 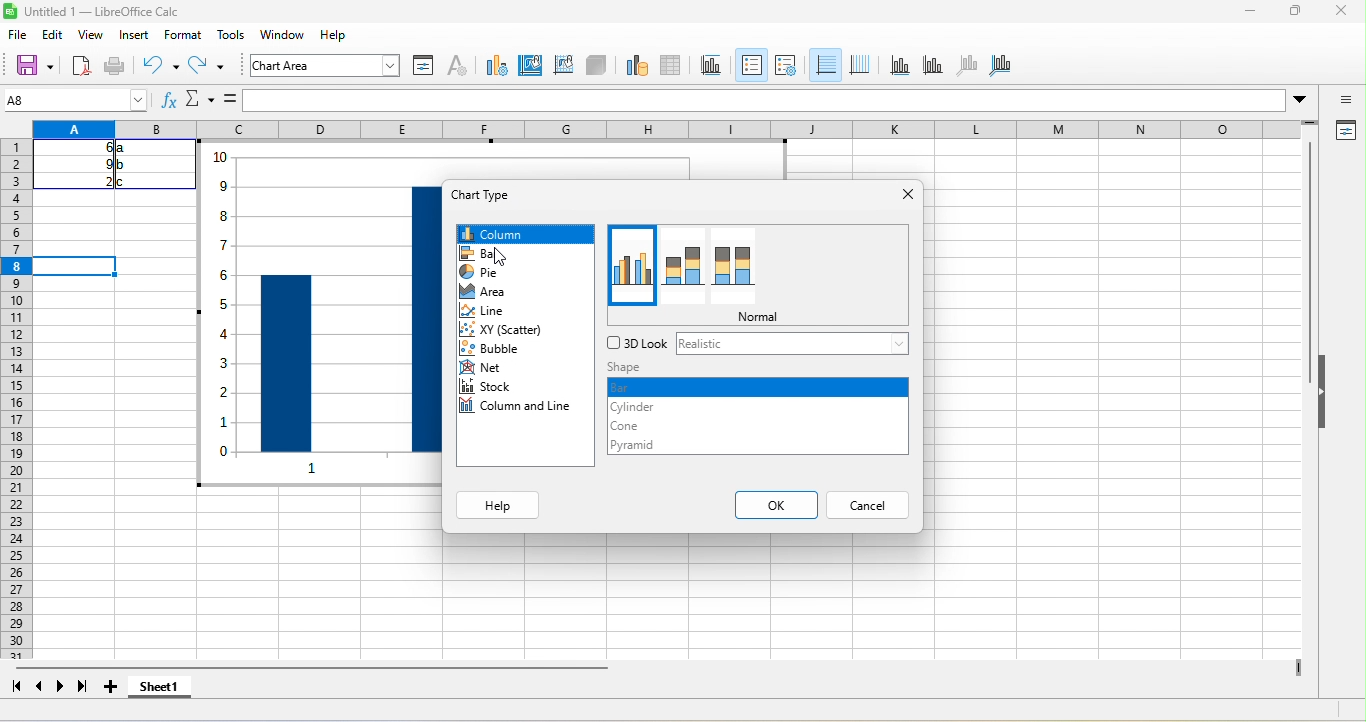 What do you see at coordinates (1249, 12) in the screenshot?
I see `minimize` at bounding box center [1249, 12].